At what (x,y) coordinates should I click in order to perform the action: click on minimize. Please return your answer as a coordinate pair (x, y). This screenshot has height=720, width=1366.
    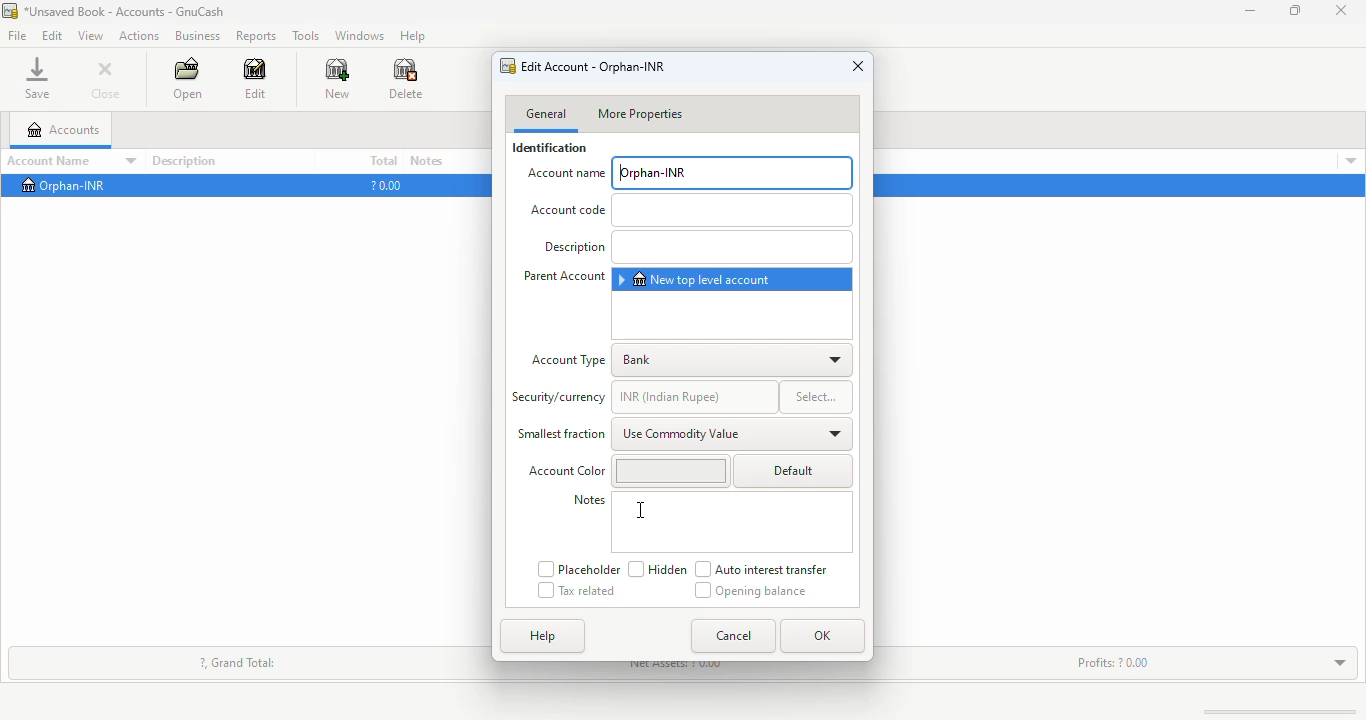
    Looking at the image, I should click on (1250, 10).